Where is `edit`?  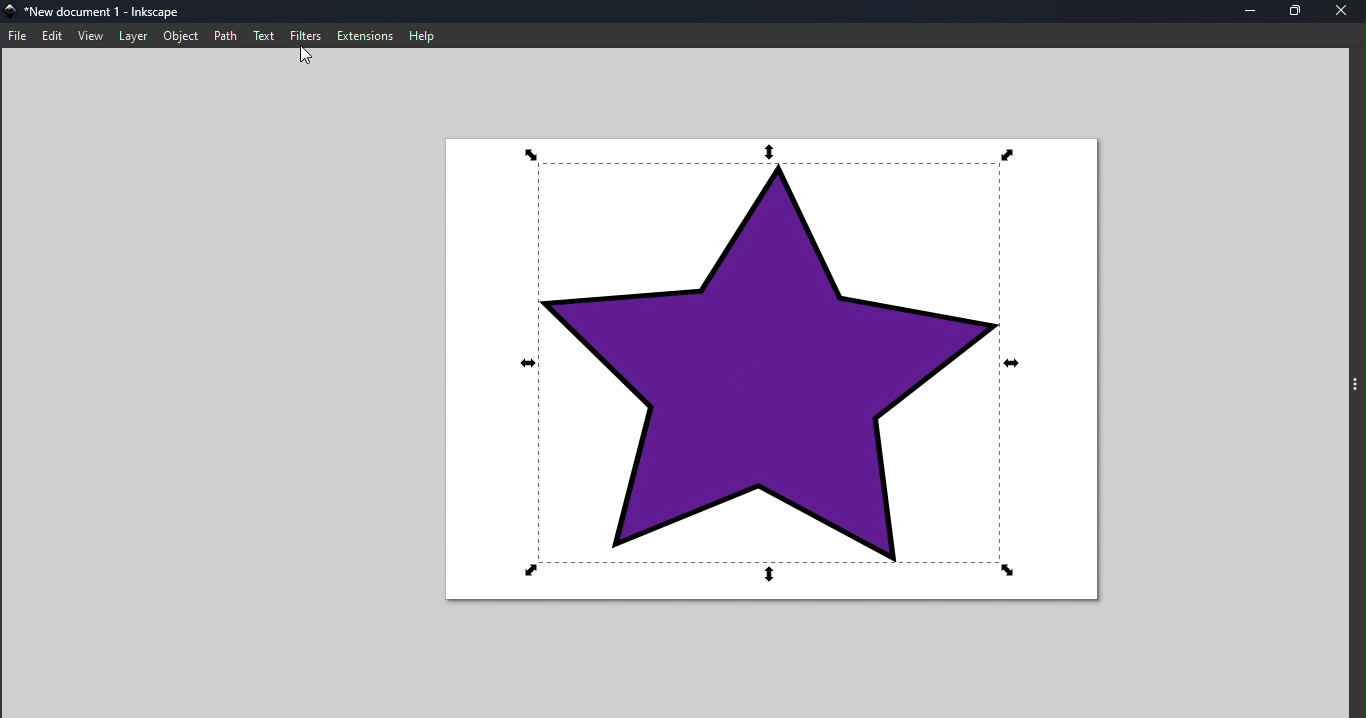
edit is located at coordinates (49, 35).